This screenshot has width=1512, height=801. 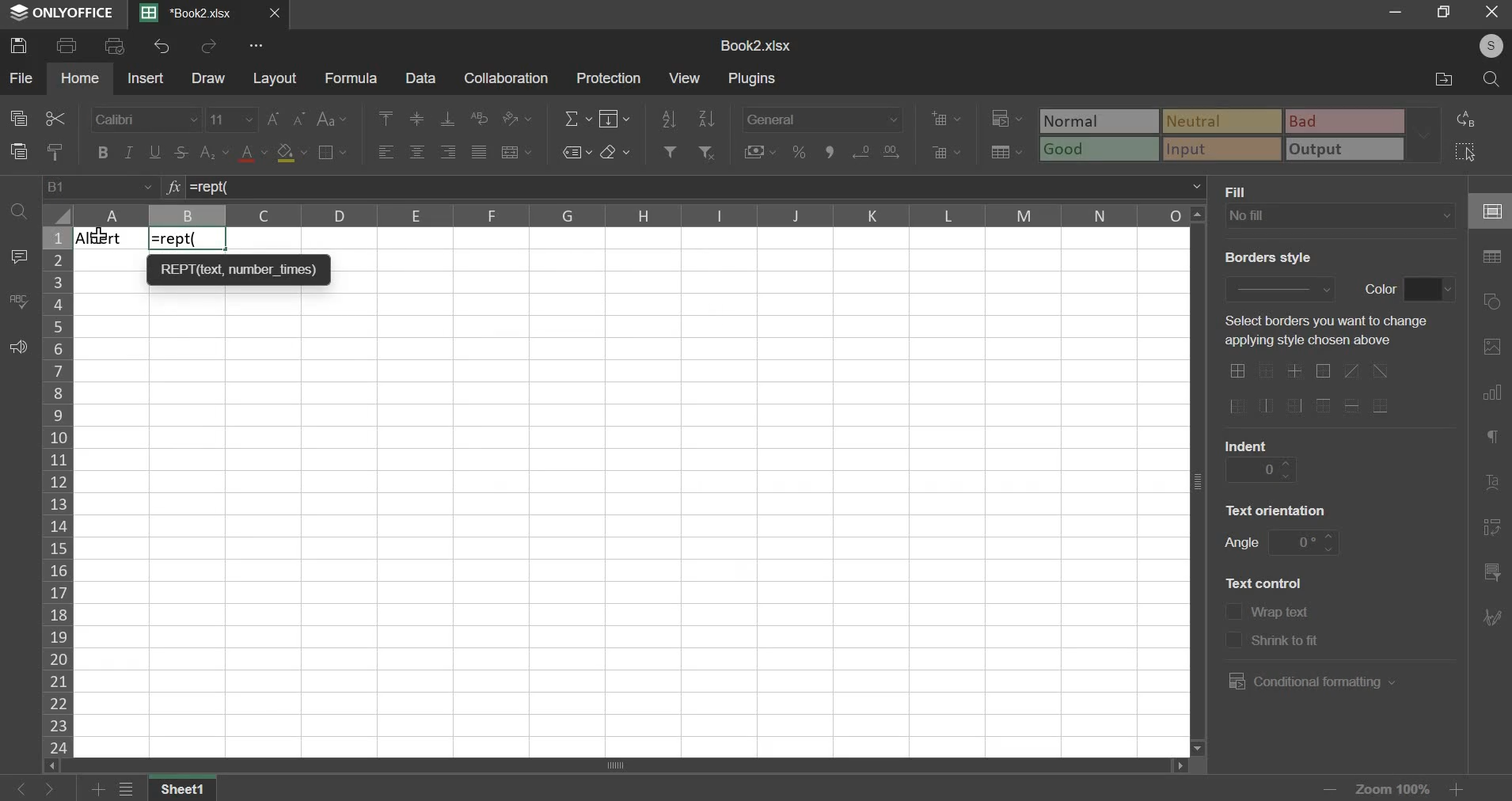 What do you see at coordinates (1493, 257) in the screenshot?
I see `table settings` at bounding box center [1493, 257].